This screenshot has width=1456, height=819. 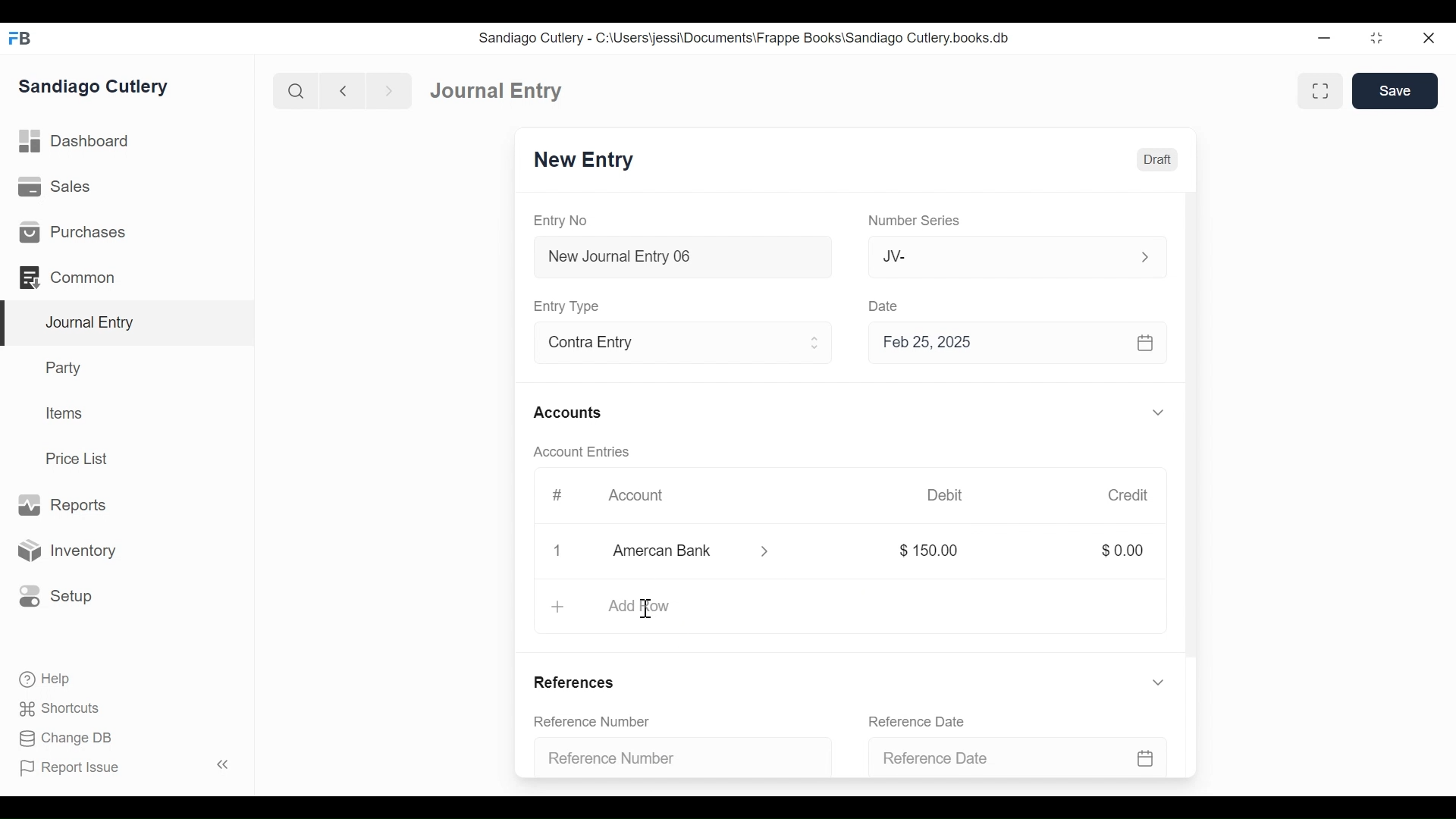 I want to click on Journal Entry, so click(x=128, y=324).